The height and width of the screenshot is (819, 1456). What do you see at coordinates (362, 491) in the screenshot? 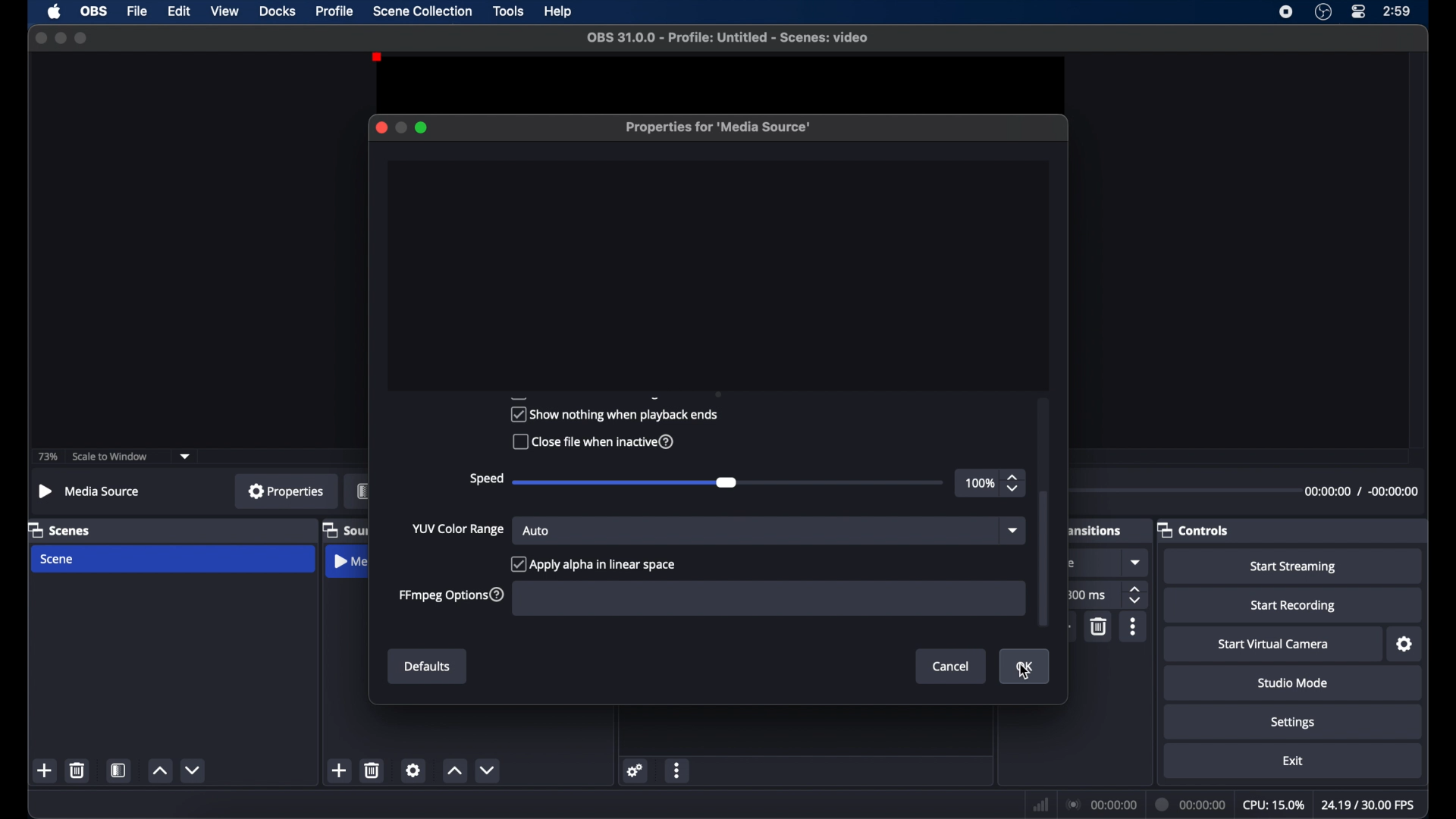
I see `obscure label` at bounding box center [362, 491].